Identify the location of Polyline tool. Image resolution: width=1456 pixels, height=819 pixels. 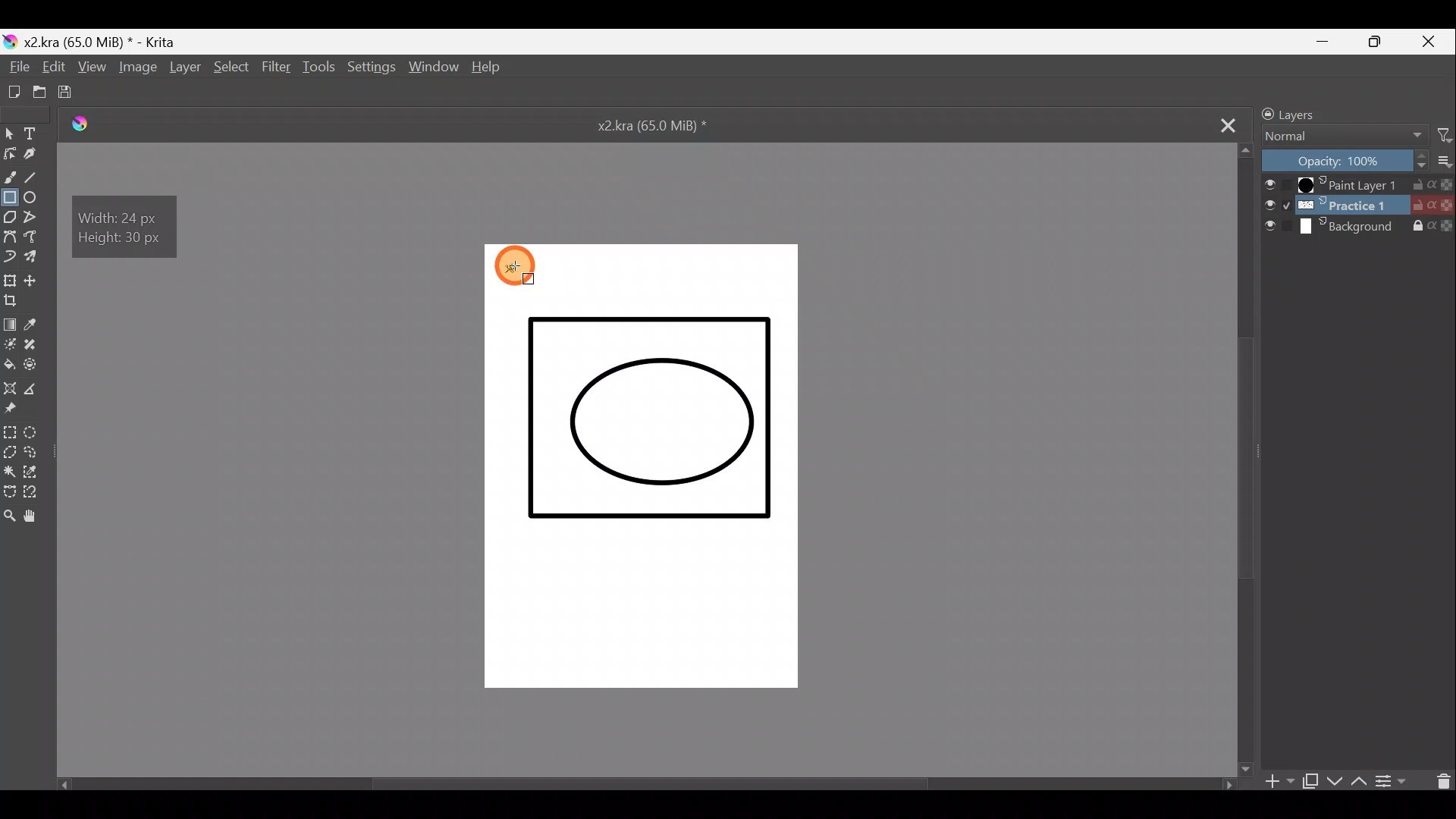
(35, 220).